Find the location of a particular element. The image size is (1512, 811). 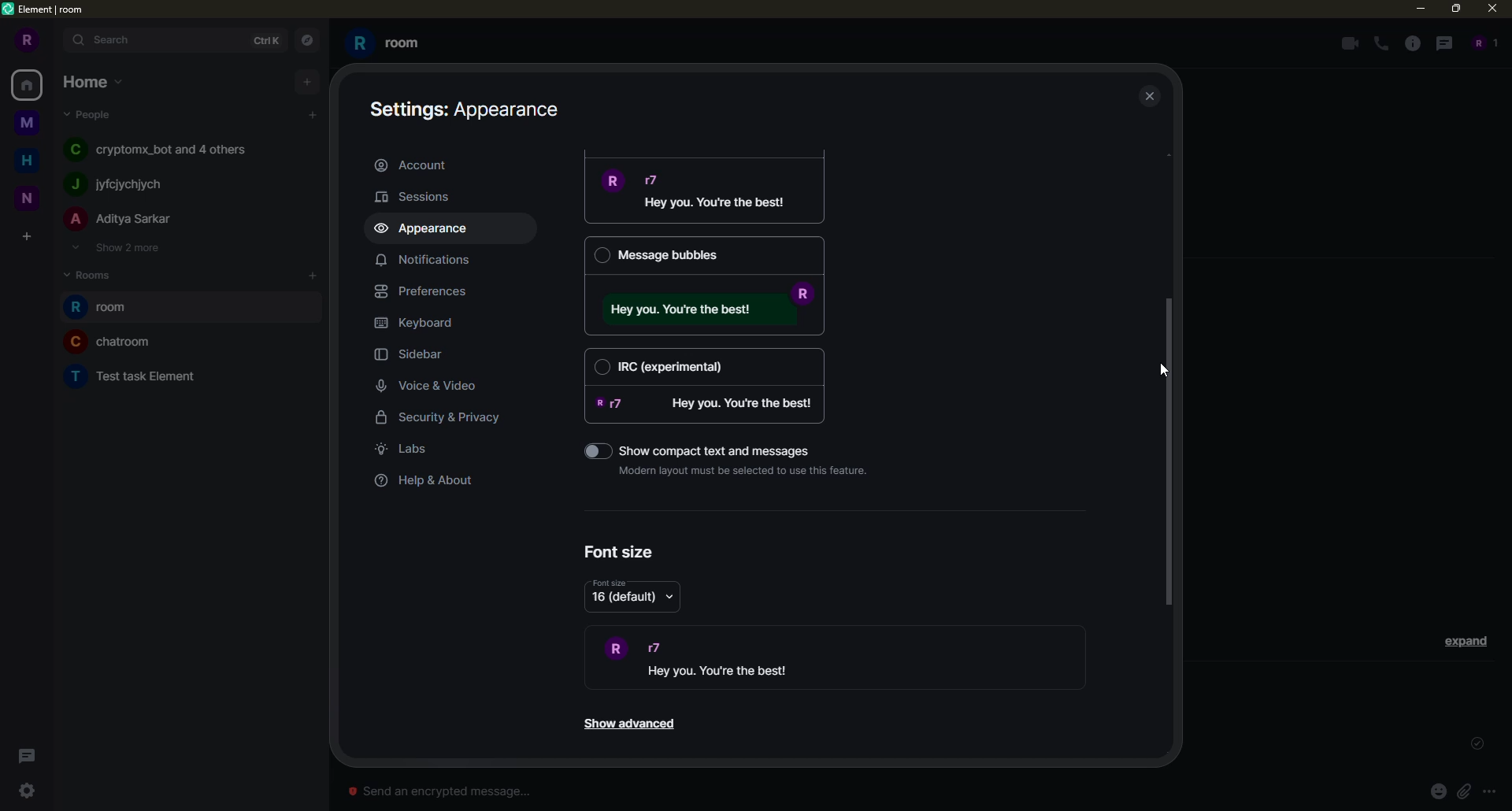

‘Show compact text and messages is located at coordinates (724, 448).